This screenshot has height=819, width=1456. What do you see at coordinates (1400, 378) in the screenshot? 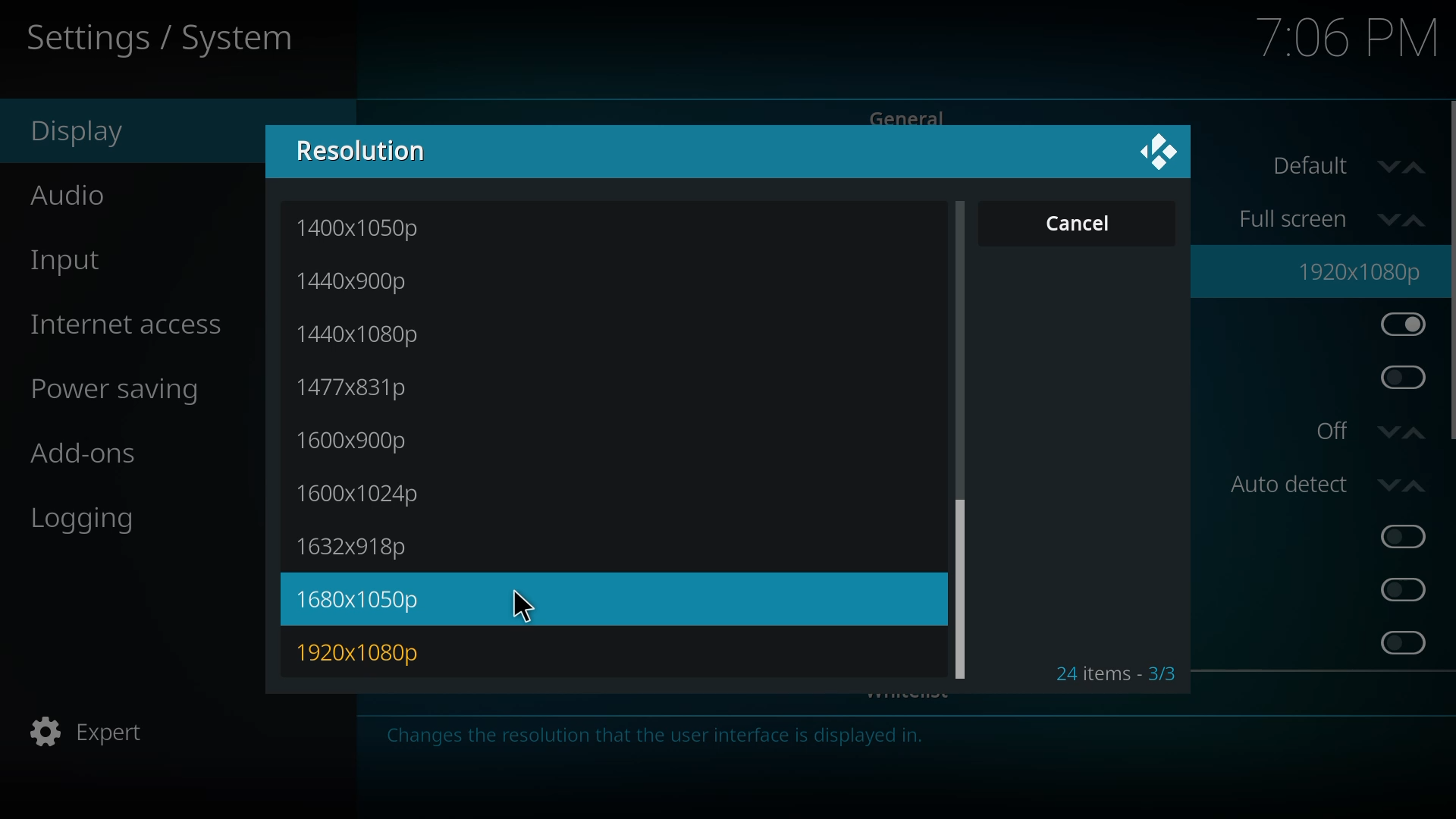
I see `enable` at bounding box center [1400, 378].